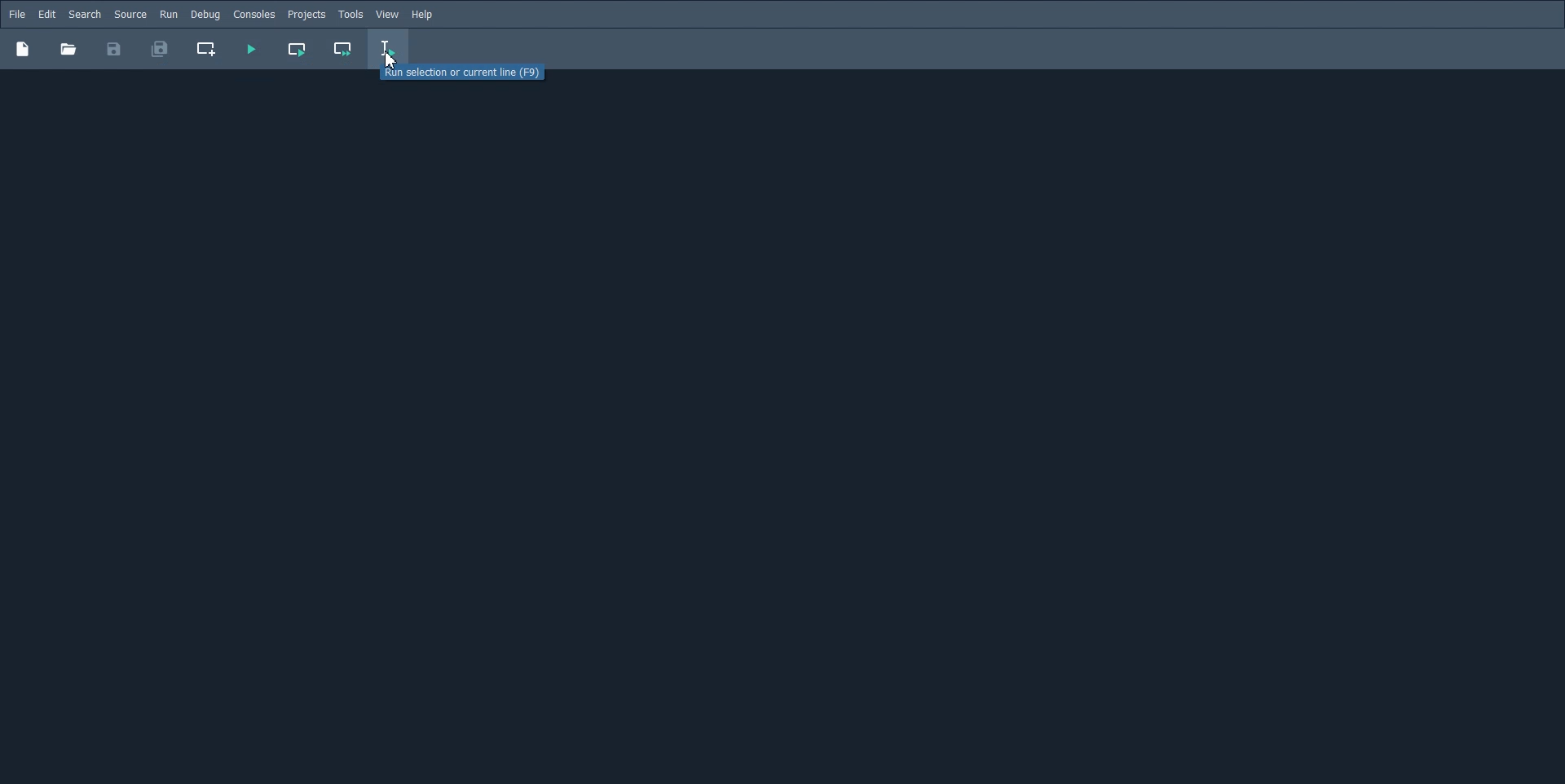 The image size is (1565, 784). Describe the element at coordinates (306, 15) in the screenshot. I see `Projects` at that location.